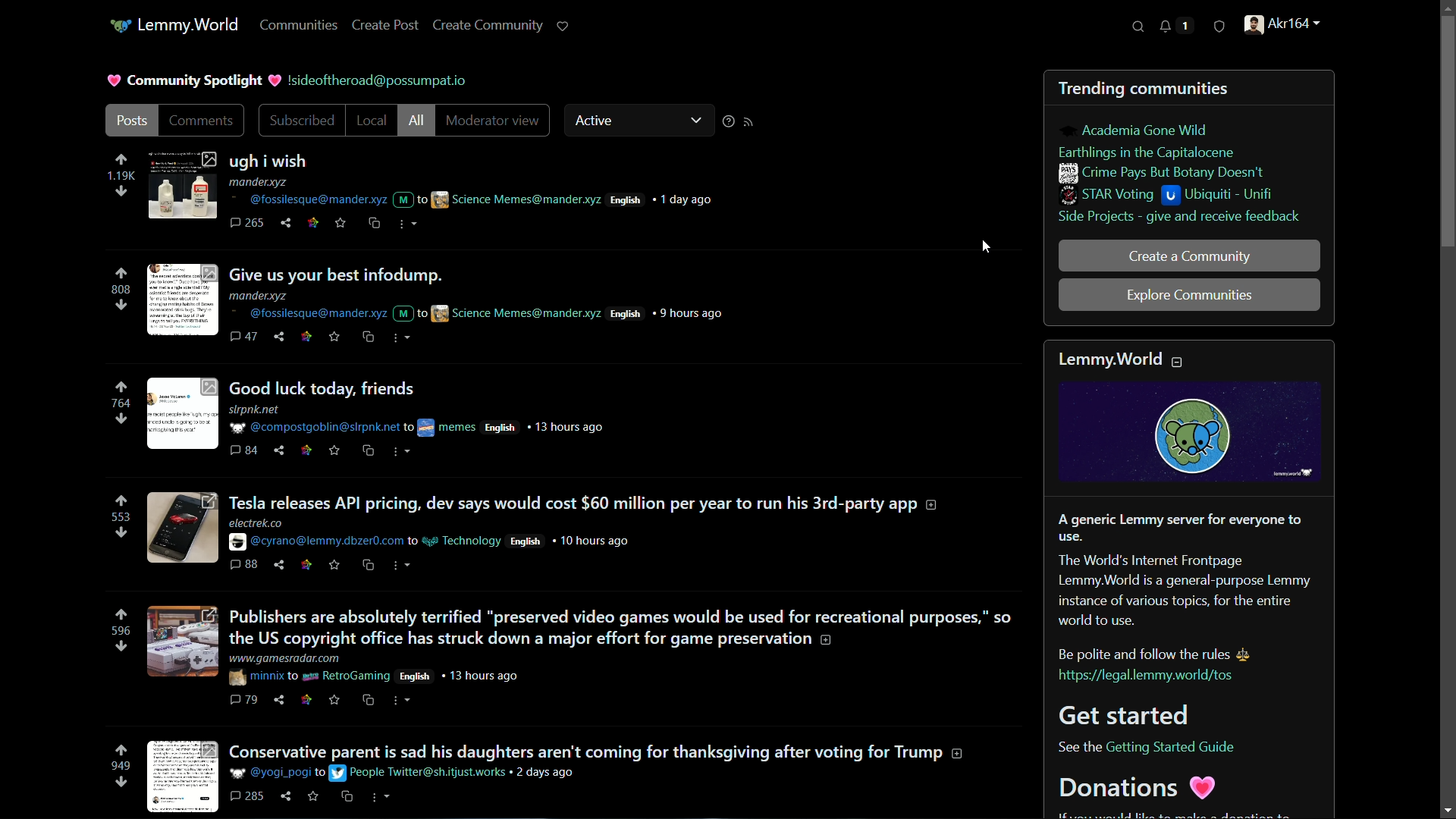 The image size is (1456, 819). What do you see at coordinates (1162, 173) in the screenshot?
I see `crime pays but botany doesn't` at bounding box center [1162, 173].